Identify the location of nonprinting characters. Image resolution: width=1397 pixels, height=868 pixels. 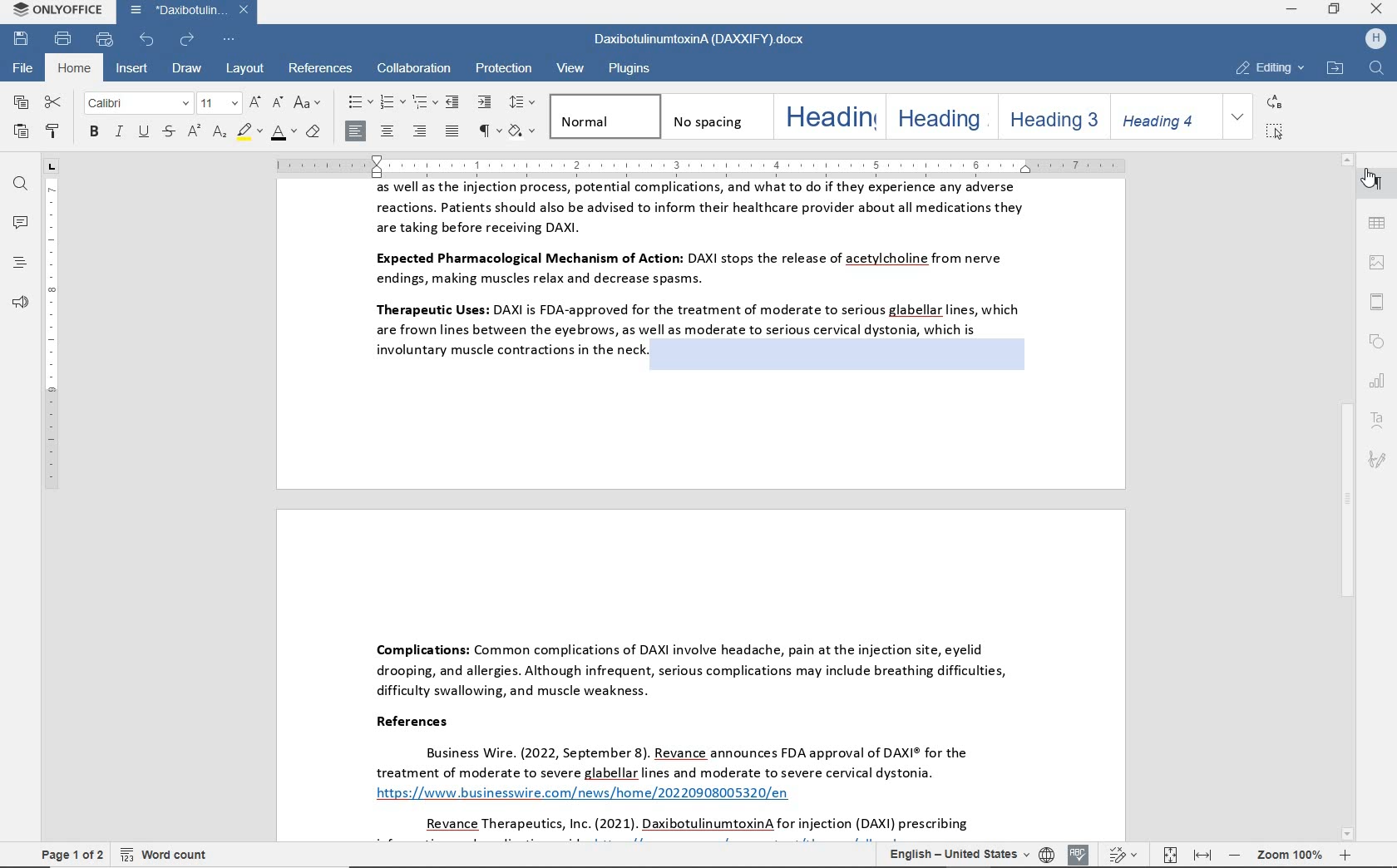
(487, 131).